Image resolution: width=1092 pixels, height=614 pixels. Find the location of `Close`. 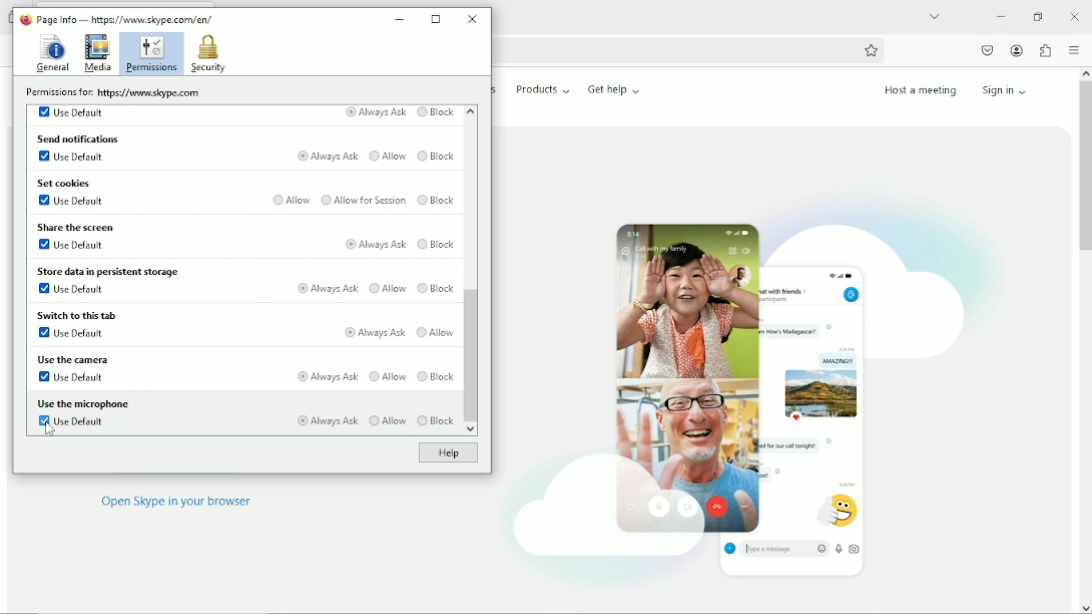

Close is located at coordinates (472, 18).